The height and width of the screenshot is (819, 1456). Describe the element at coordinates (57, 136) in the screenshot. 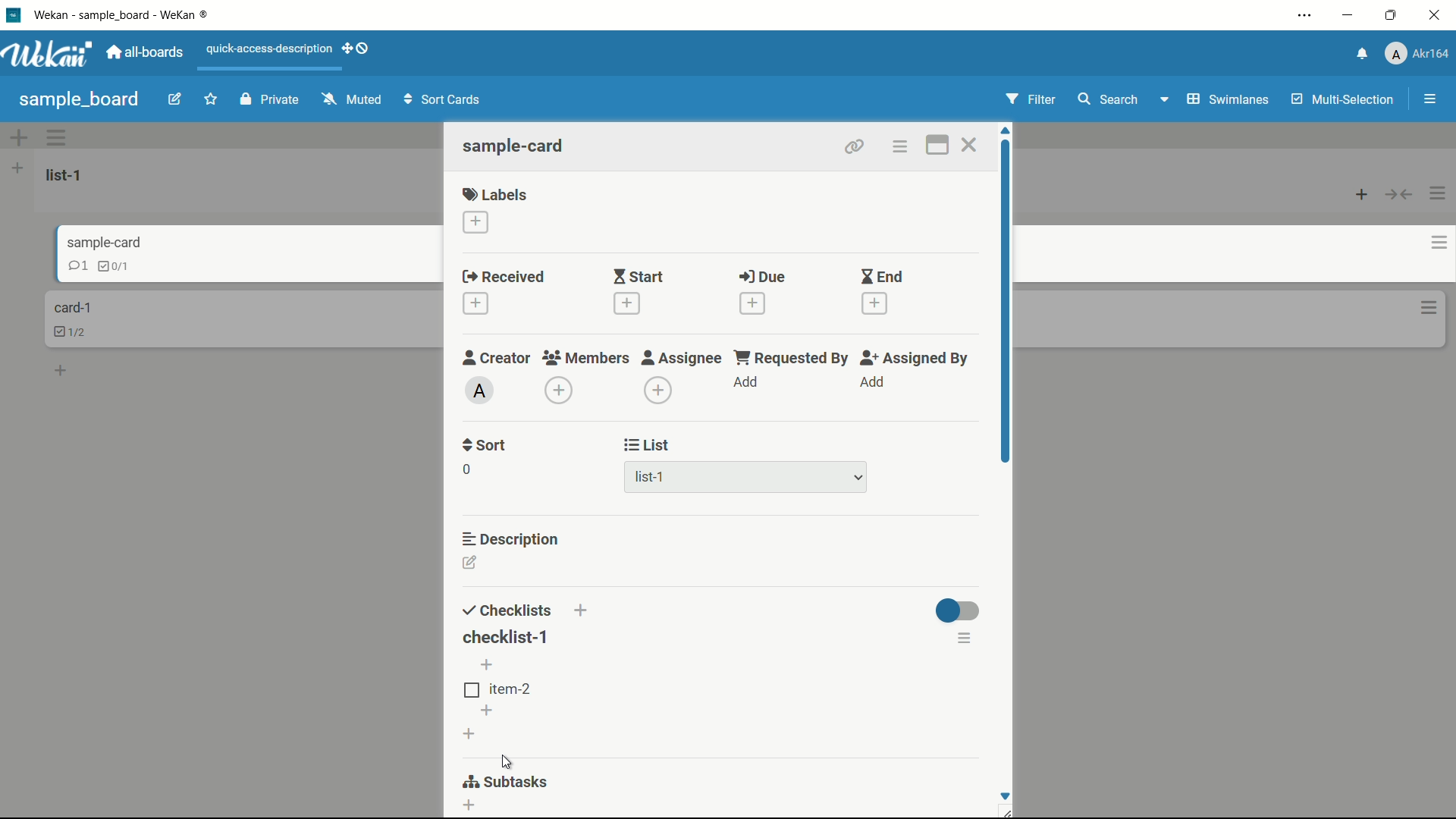

I see `swimlane actions` at that location.